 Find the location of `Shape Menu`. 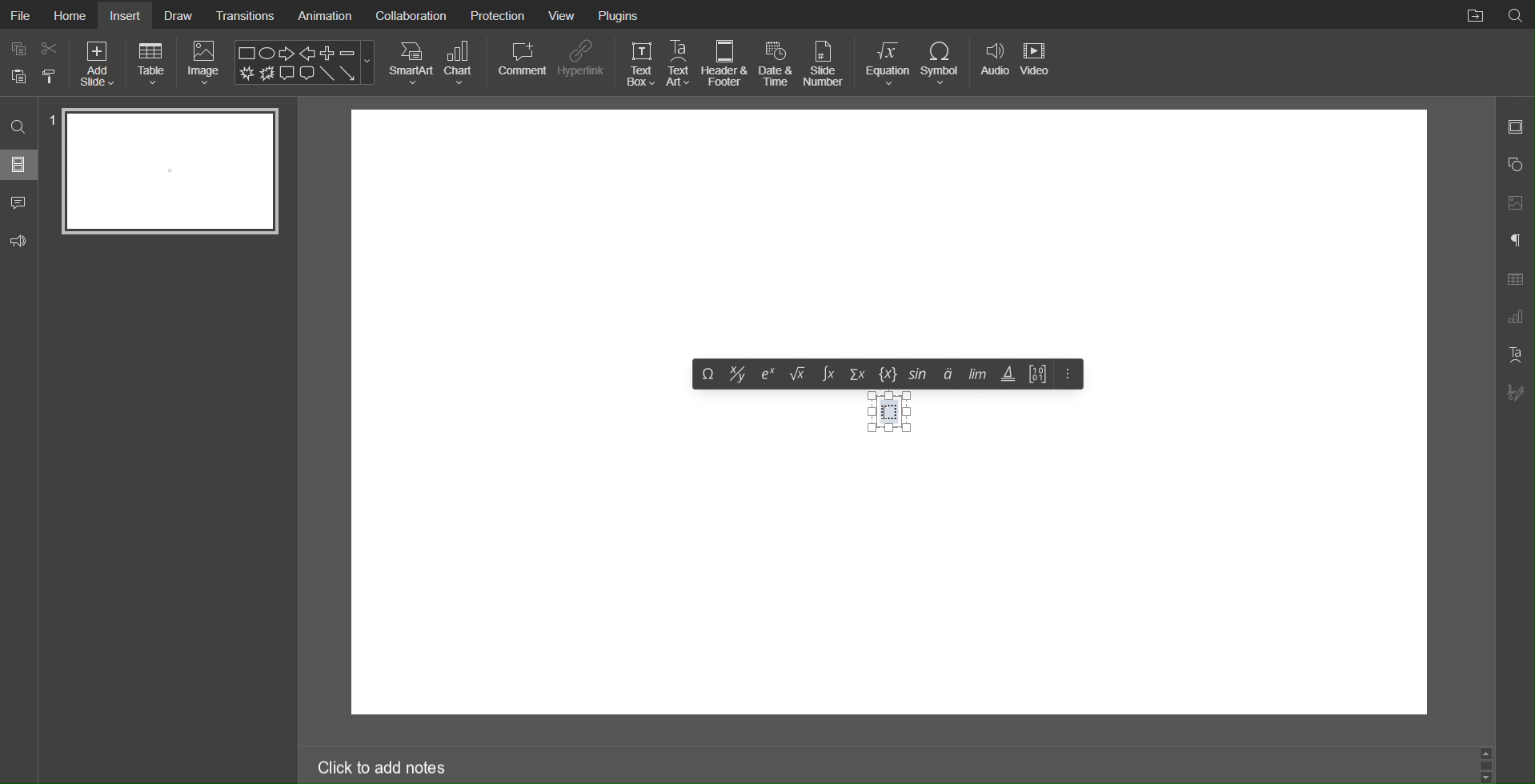

Shape Menu is located at coordinates (303, 62).